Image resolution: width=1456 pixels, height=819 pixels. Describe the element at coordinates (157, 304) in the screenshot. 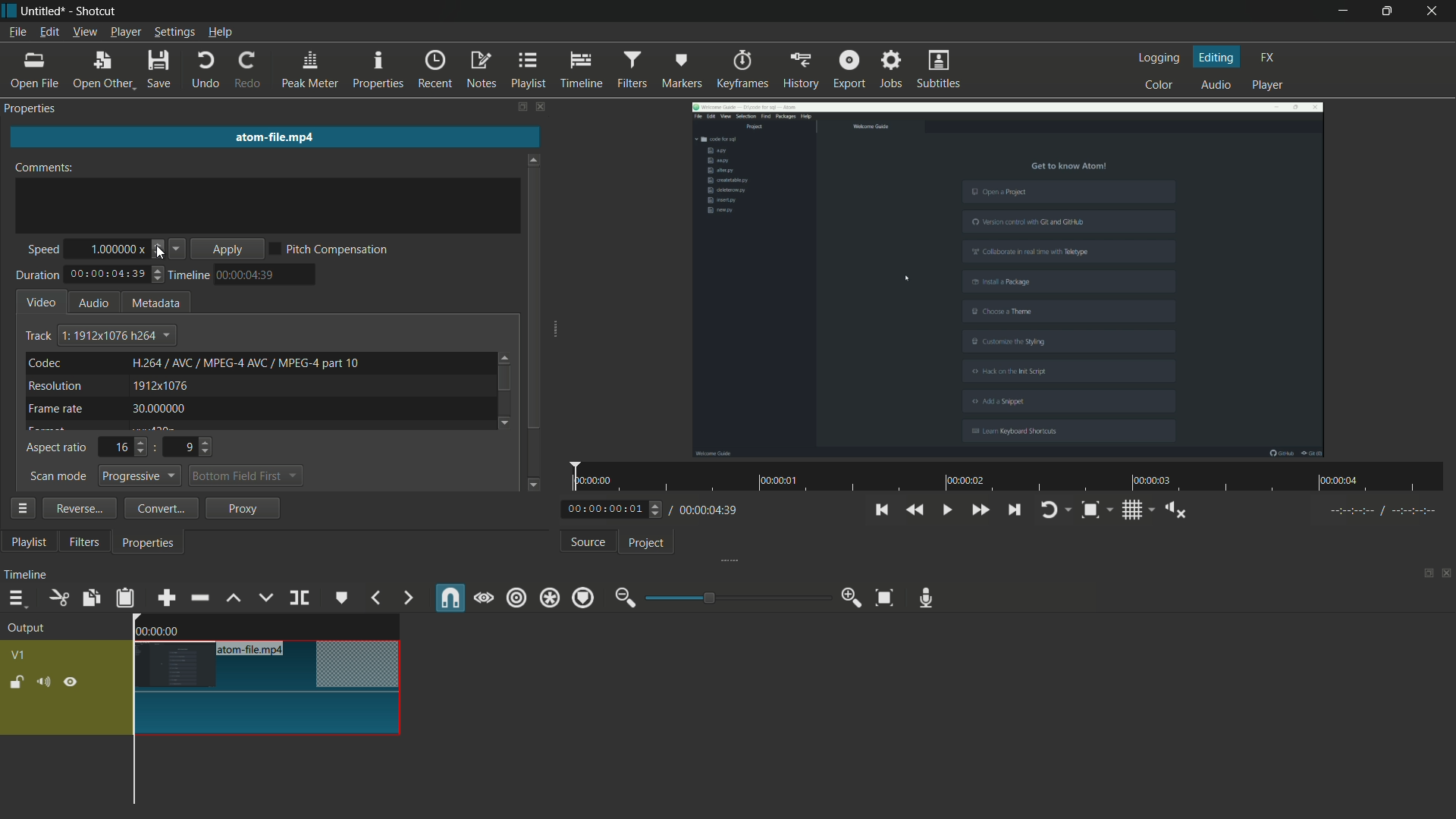

I see `metadata` at that location.